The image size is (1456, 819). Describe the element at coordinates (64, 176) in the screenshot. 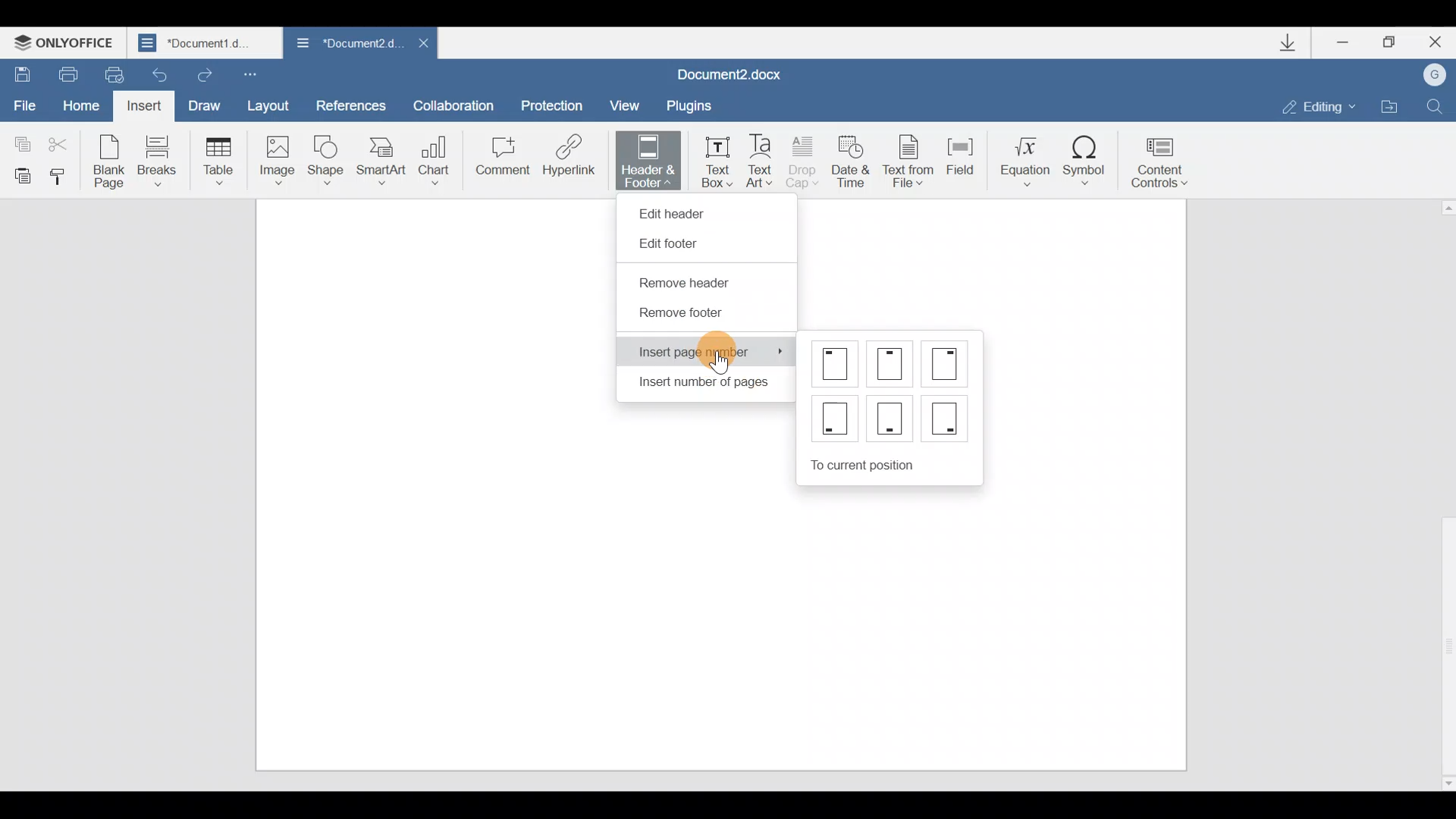

I see `Copy style` at that location.